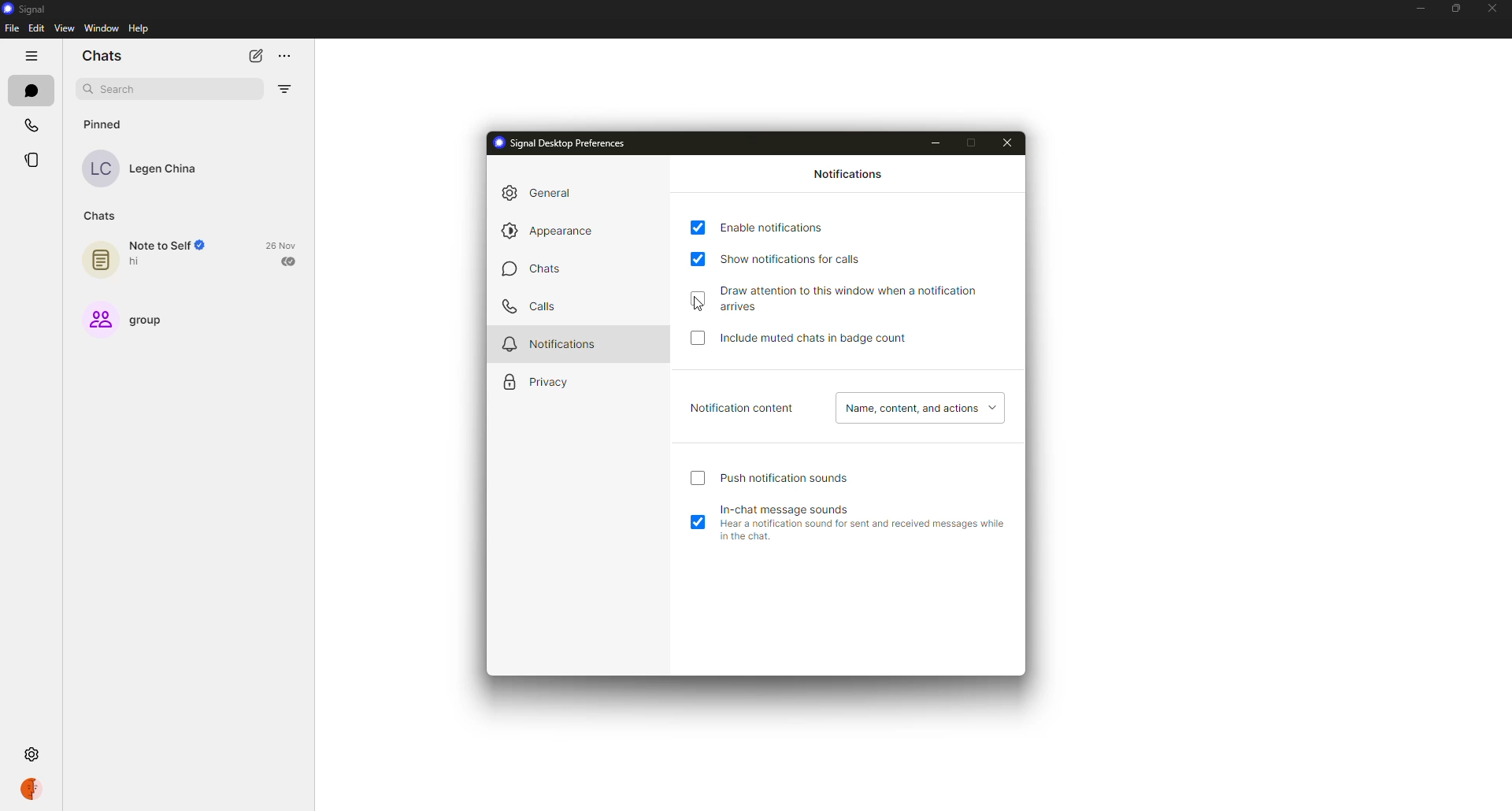  What do you see at coordinates (168, 170) in the screenshot?
I see `Legen China` at bounding box center [168, 170].